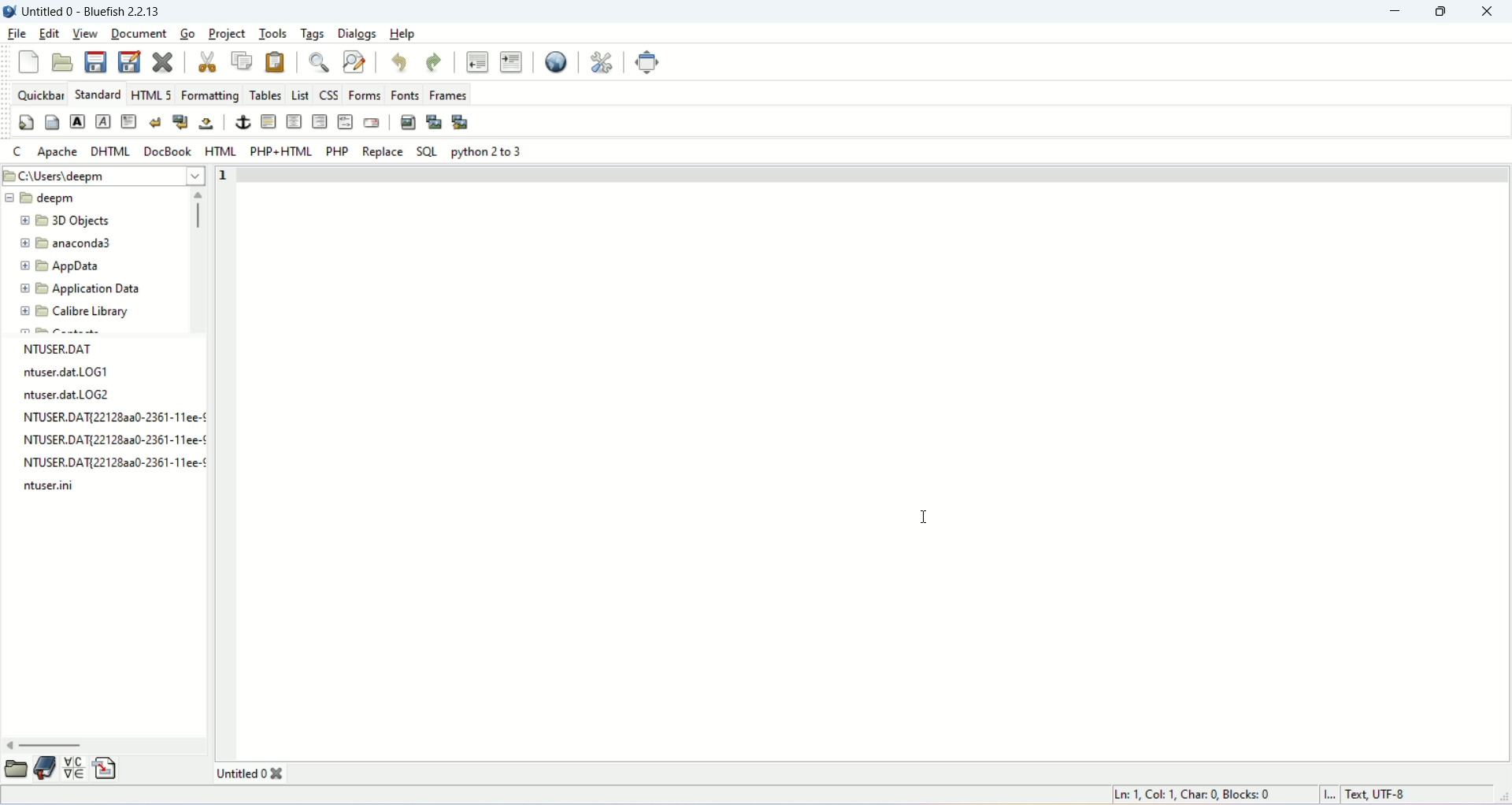 The width and height of the screenshot is (1512, 805). Describe the element at coordinates (109, 440) in the screenshot. I see `NTUSER.DAT{22128aa0-2361-11ee-¢` at that location.